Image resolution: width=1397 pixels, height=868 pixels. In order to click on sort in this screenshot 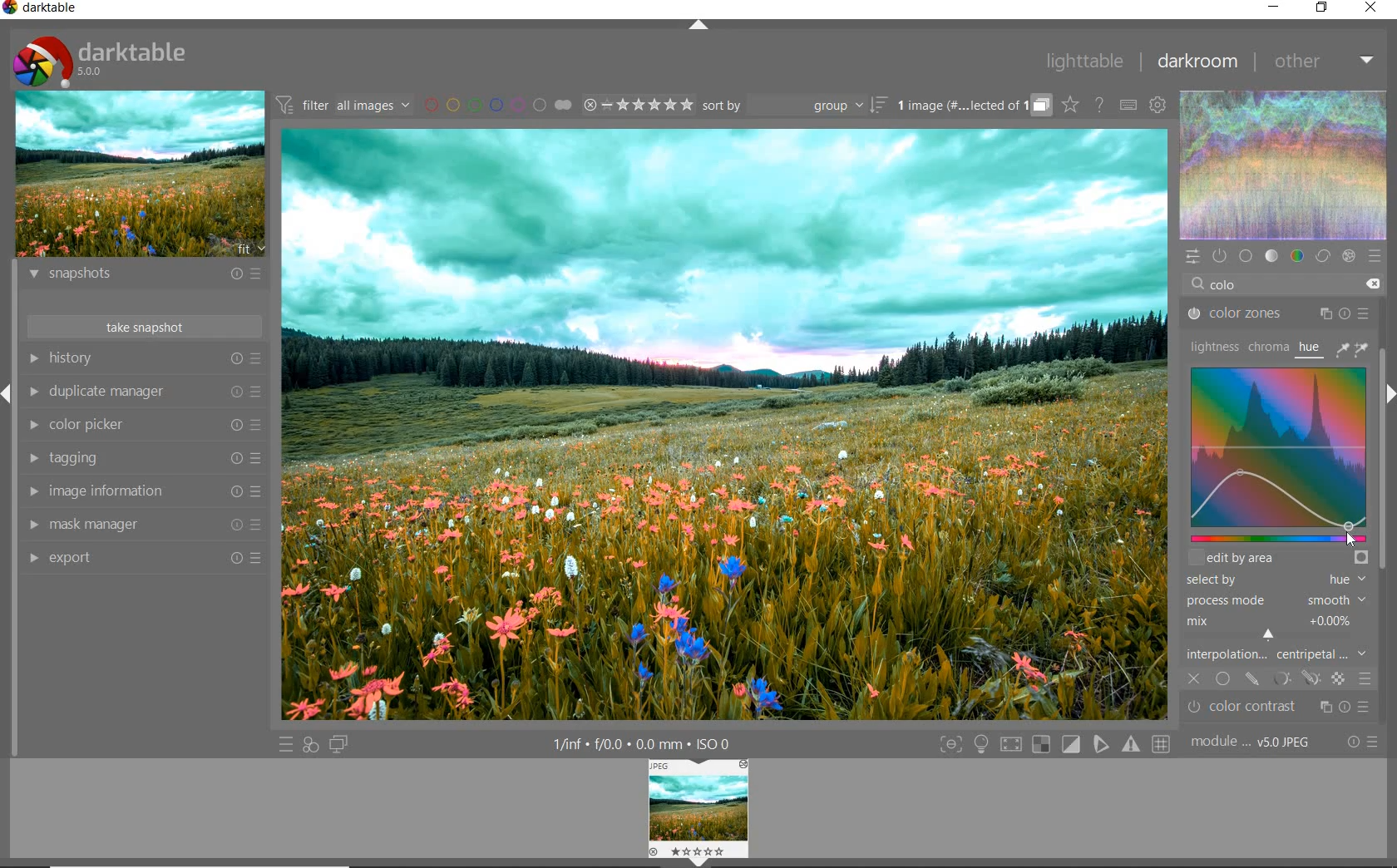, I will do `click(793, 107)`.